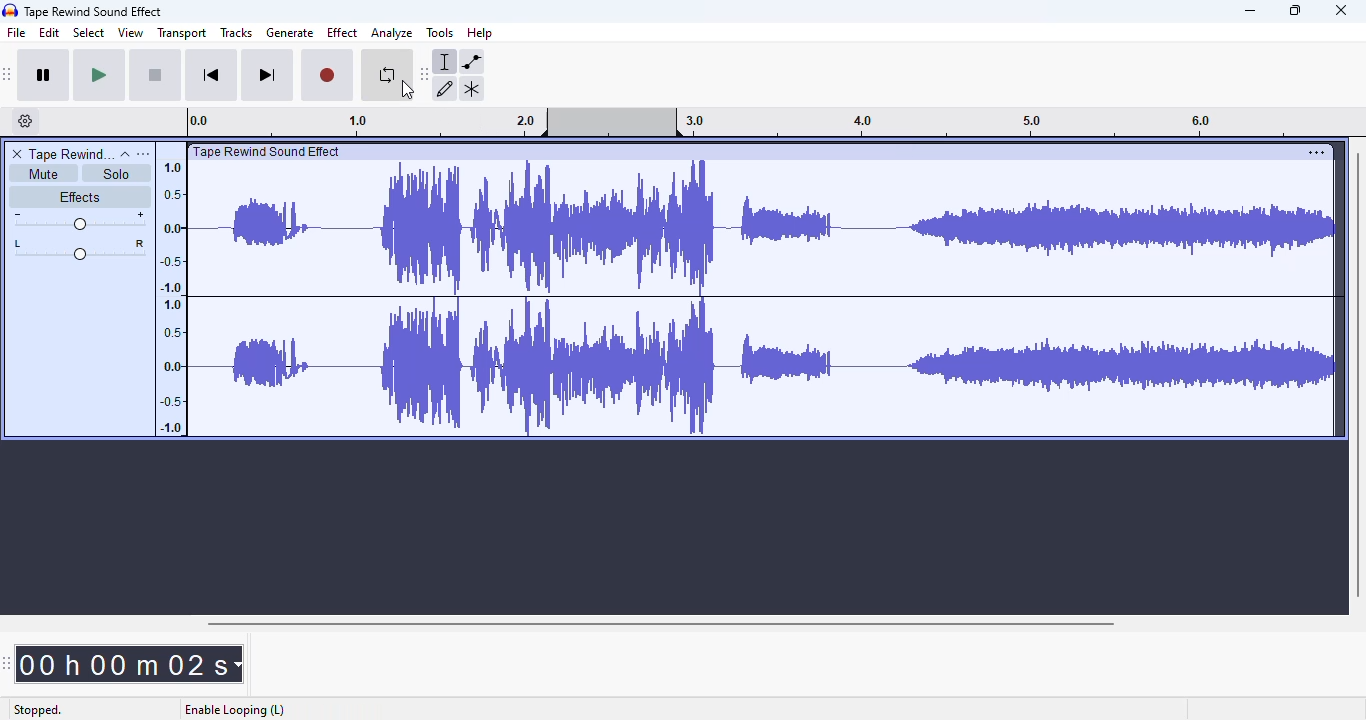 This screenshot has height=720, width=1366. Describe the element at coordinates (472, 62) in the screenshot. I see `envelope tool` at that location.